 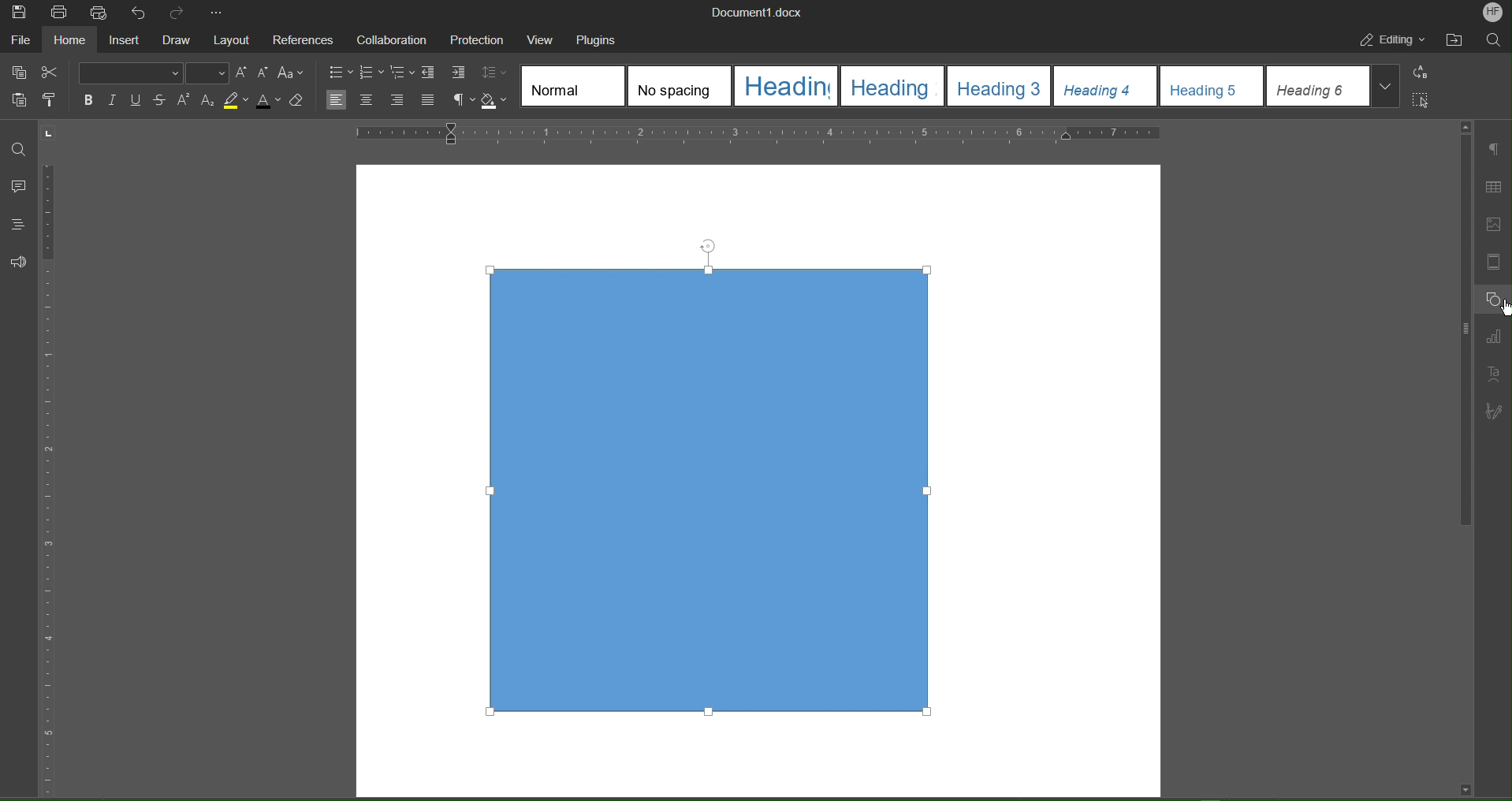 I want to click on Scroll up, so click(x=1465, y=124).